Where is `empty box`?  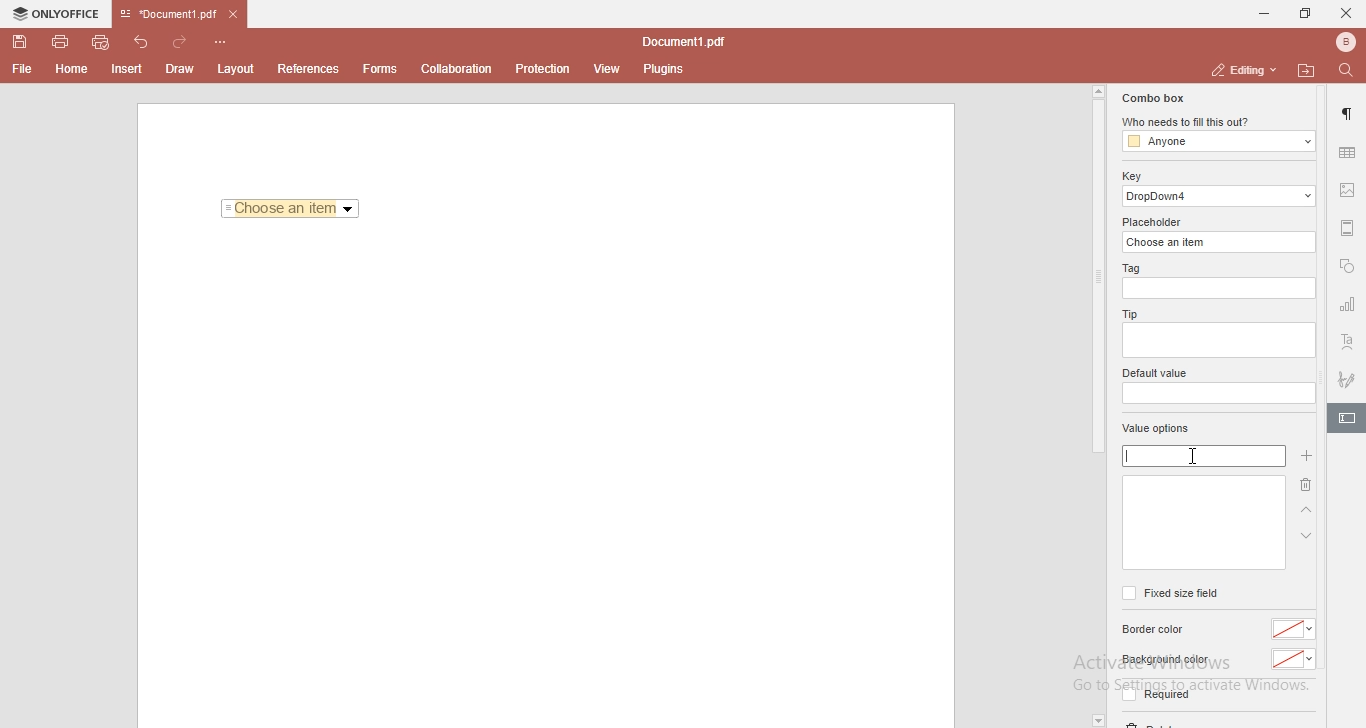
empty box is located at coordinates (1202, 456).